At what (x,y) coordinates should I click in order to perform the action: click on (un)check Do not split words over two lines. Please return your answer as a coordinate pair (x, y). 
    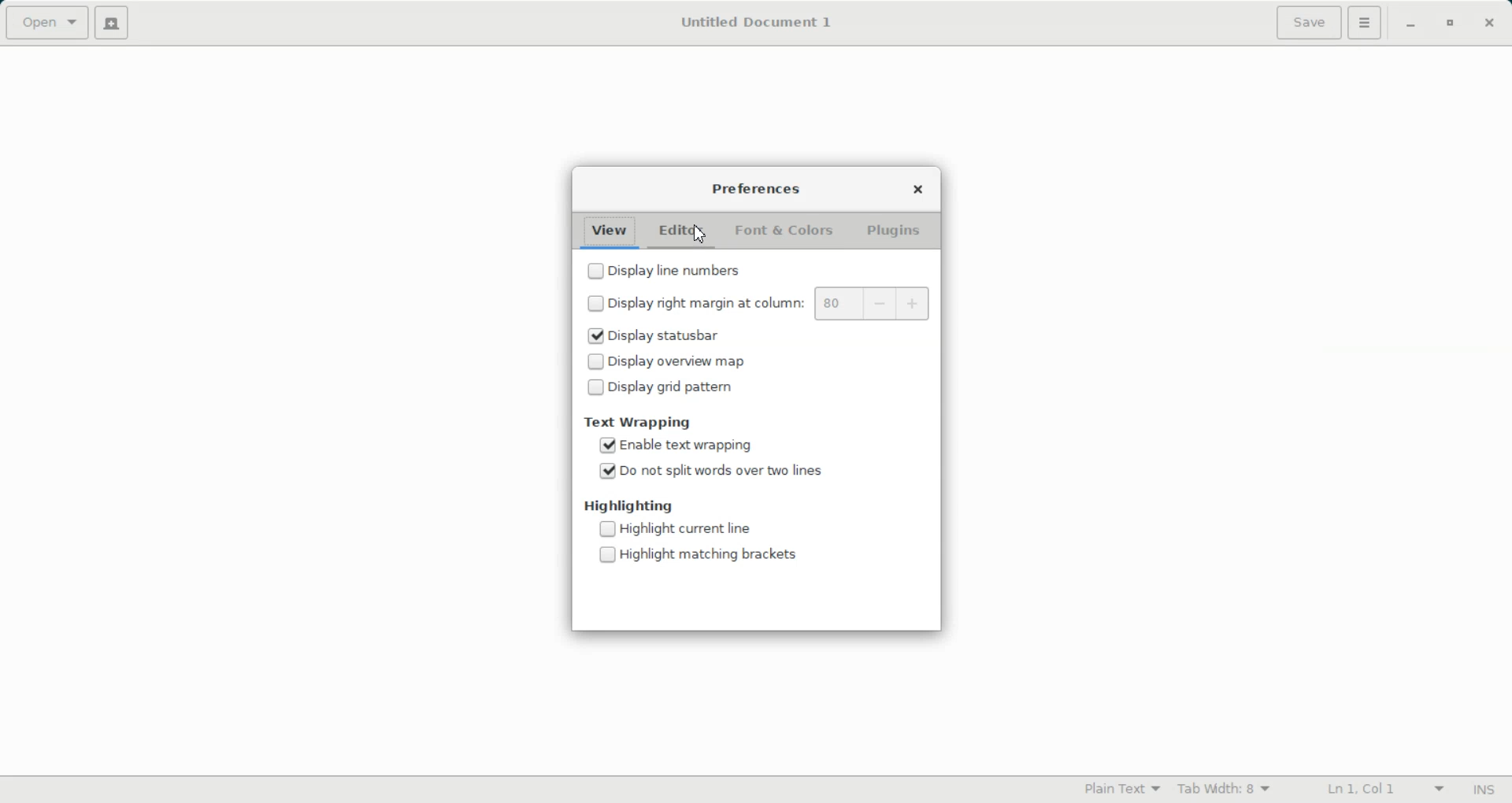
    Looking at the image, I should click on (713, 469).